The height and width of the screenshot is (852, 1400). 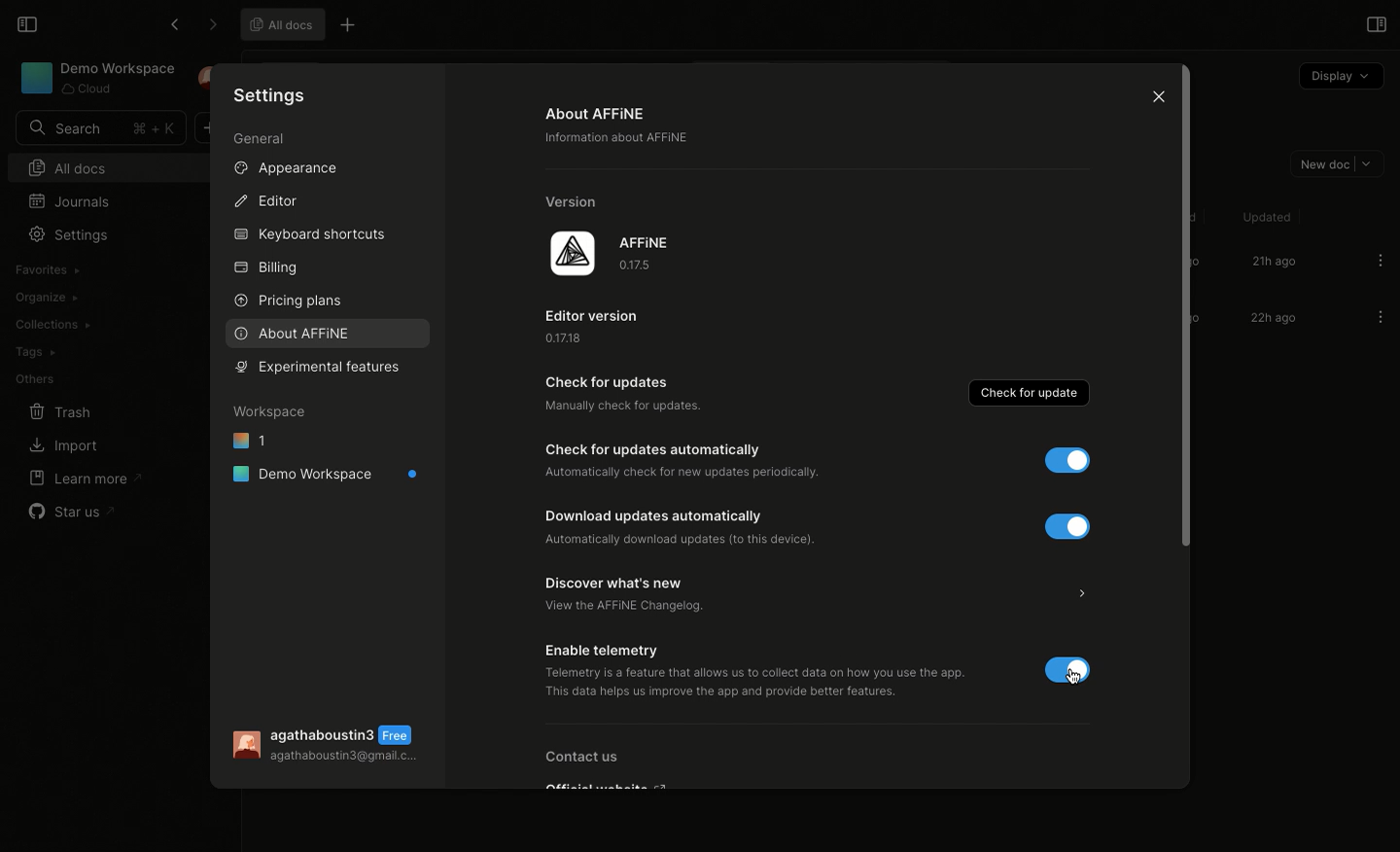 I want to click on Properties, so click(x=292, y=539).